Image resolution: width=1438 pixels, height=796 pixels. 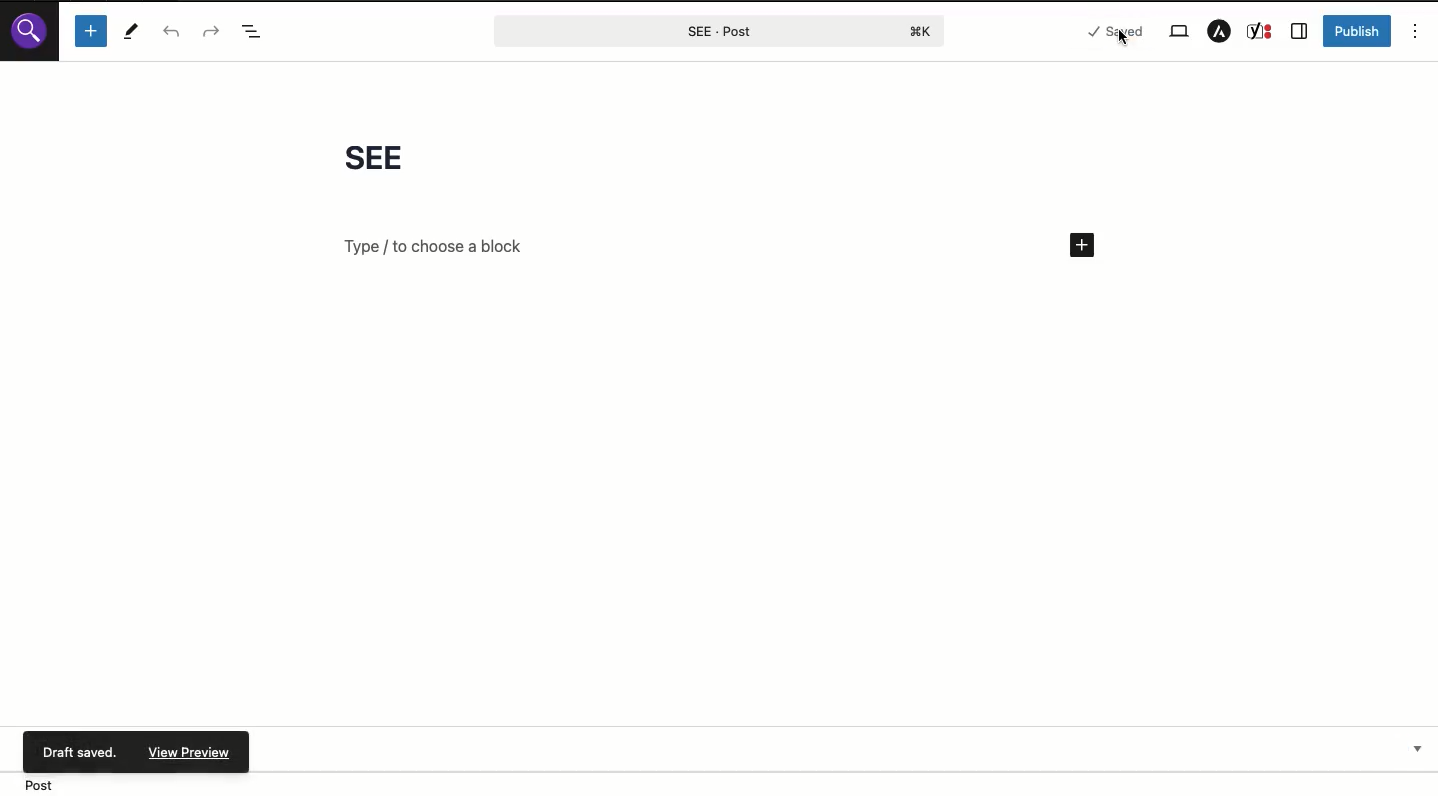 What do you see at coordinates (395, 161) in the screenshot?
I see `Title` at bounding box center [395, 161].